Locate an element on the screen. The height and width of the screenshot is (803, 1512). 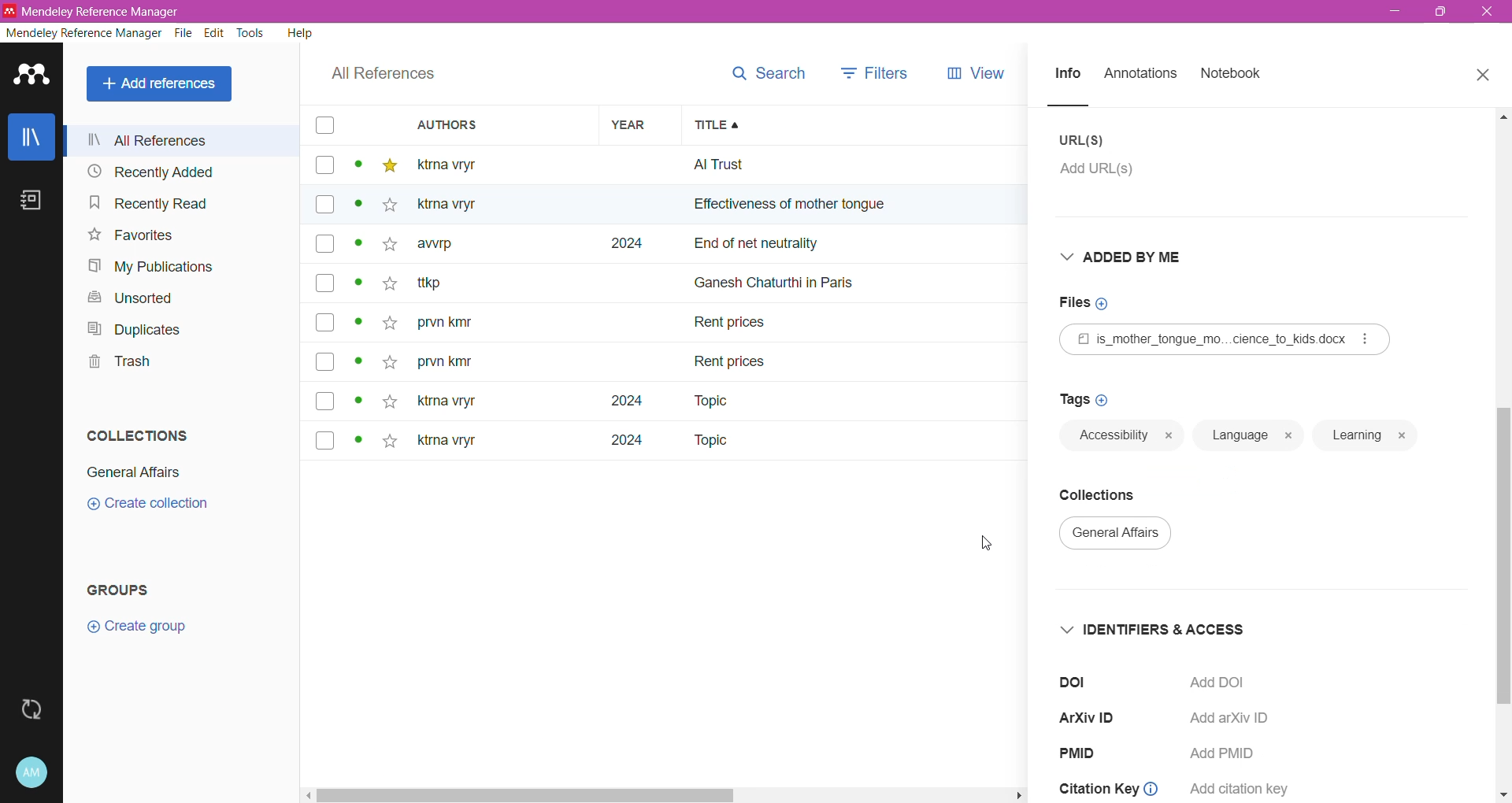
My Publications is located at coordinates (154, 267).